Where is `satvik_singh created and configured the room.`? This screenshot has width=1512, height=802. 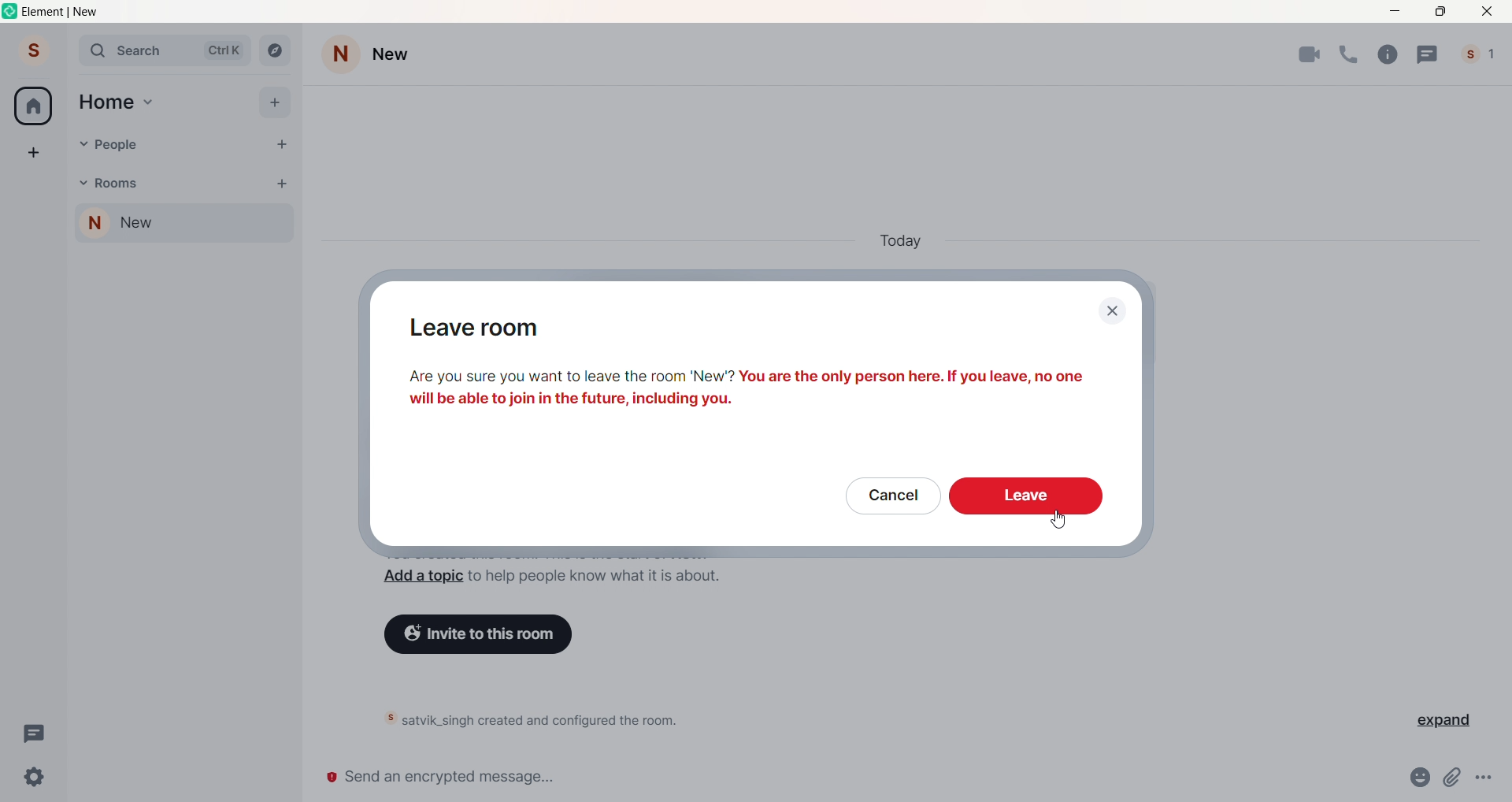
satvik_singh created and configured the room. is located at coordinates (559, 721).